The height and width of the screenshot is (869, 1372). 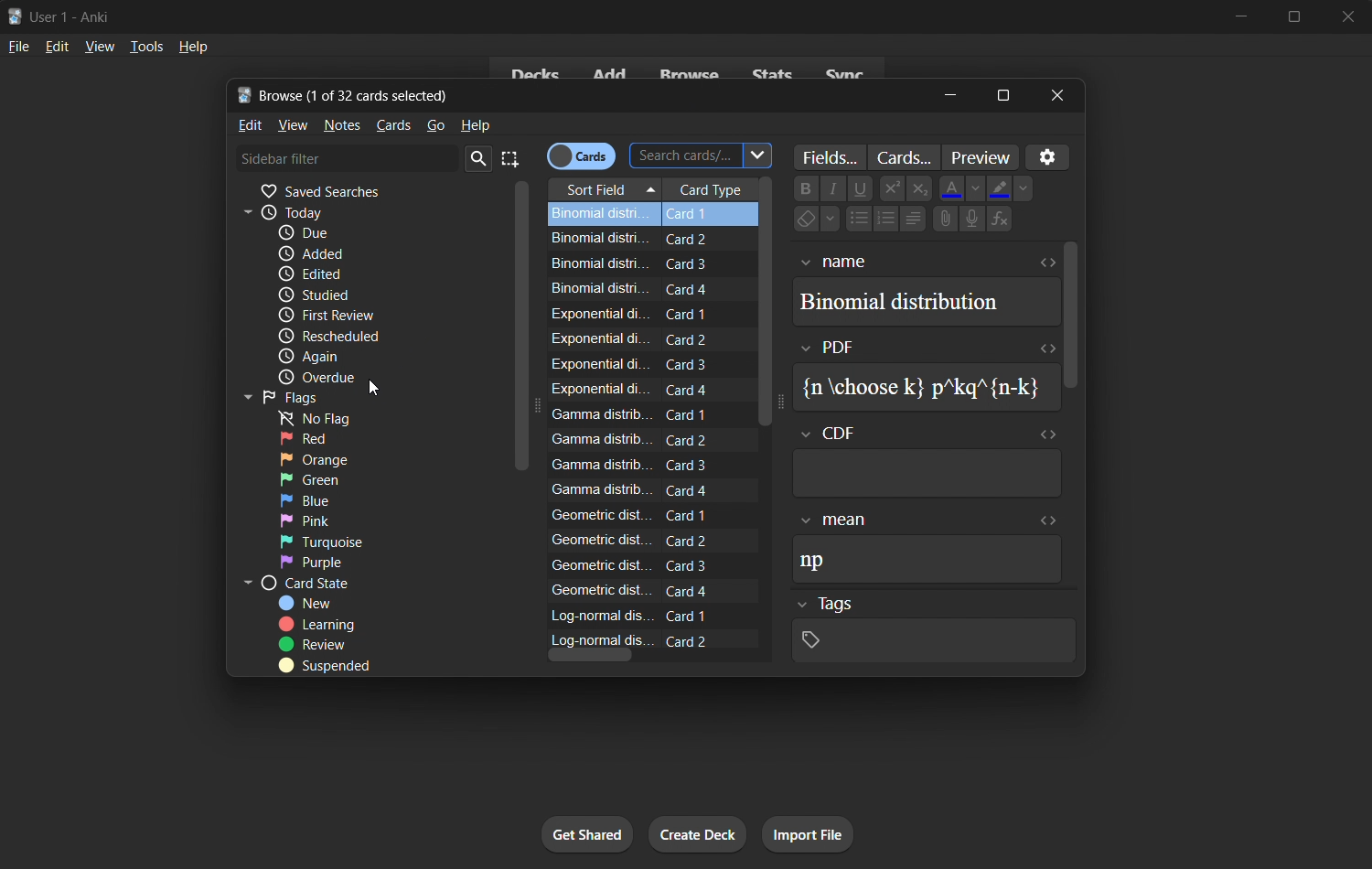 I want to click on get shared, so click(x=590, y=837).